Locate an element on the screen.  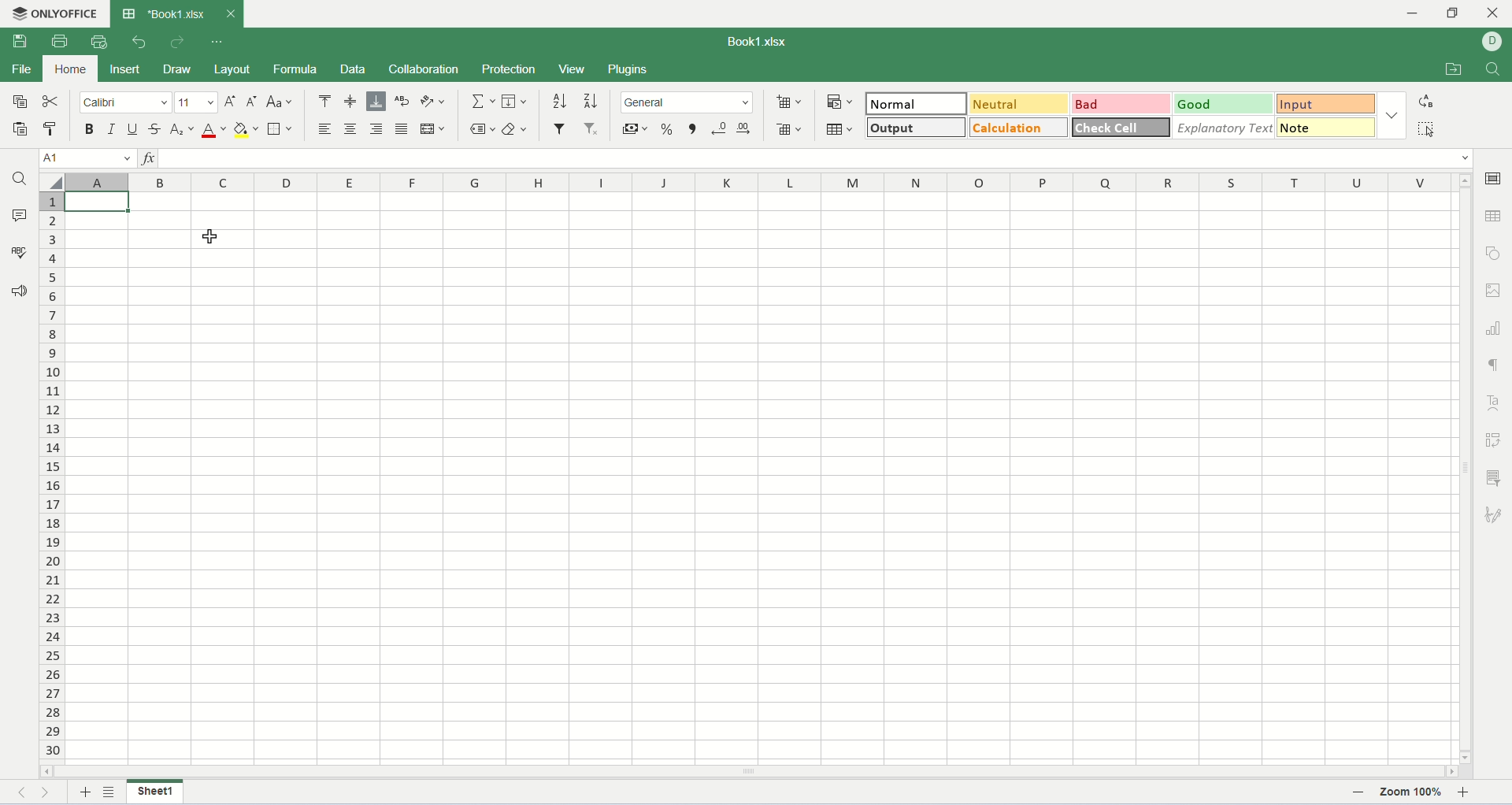
print is located at coordinates (59, 42).